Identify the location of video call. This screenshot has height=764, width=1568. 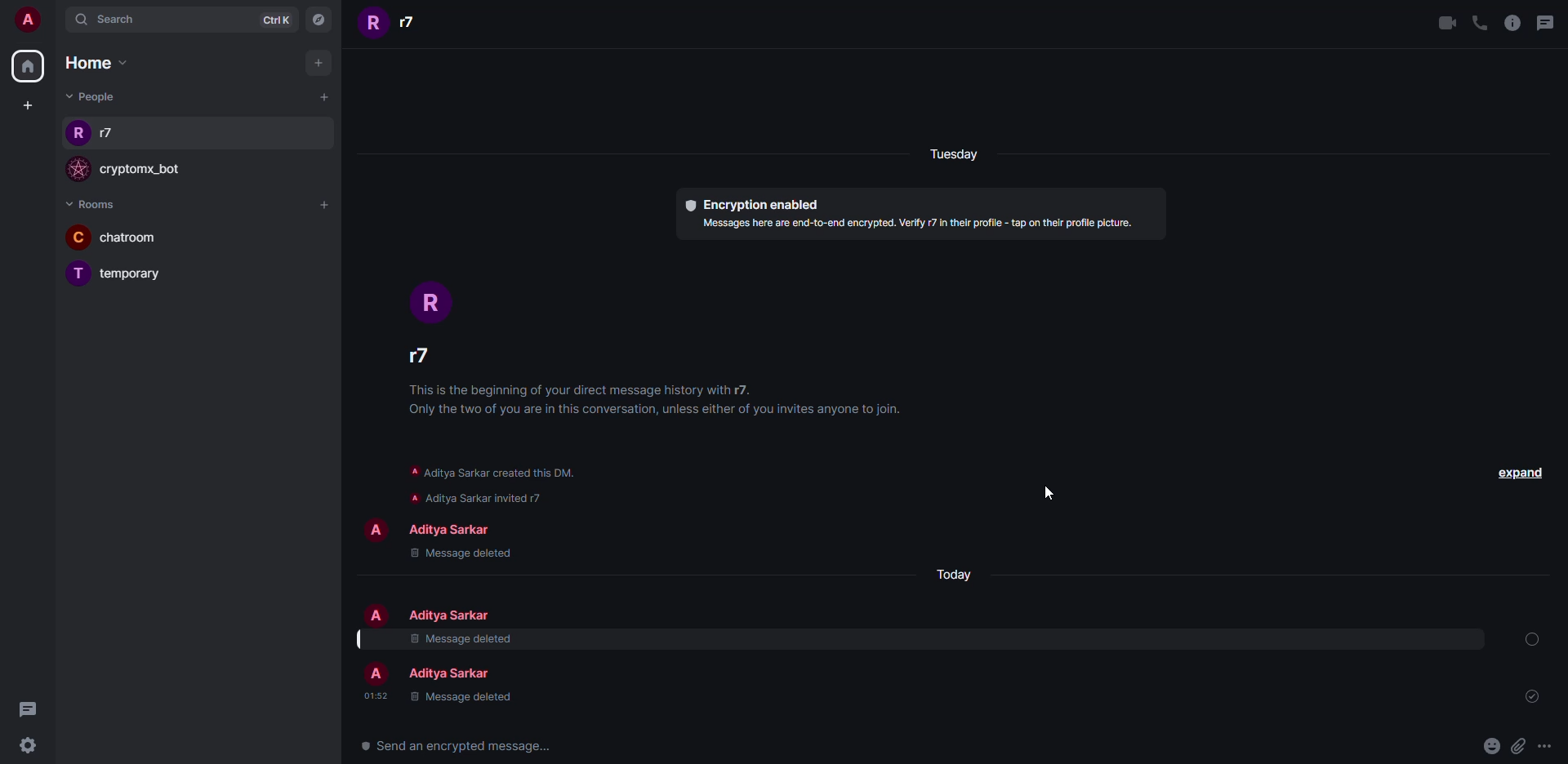
(1442, 22).